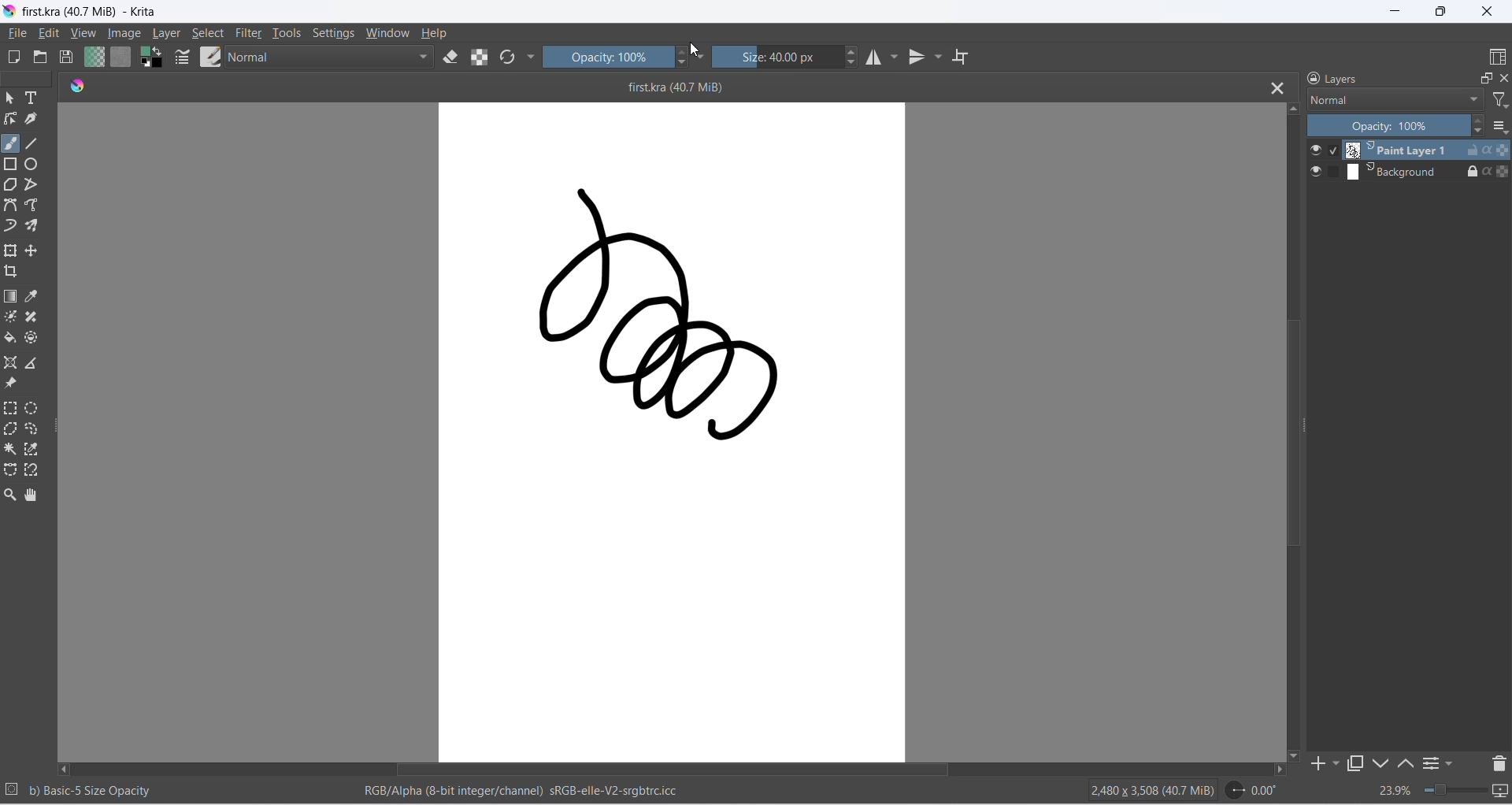  Describe the element at coordinates (168, 33) in the screenshot. I see `layer` at that location.